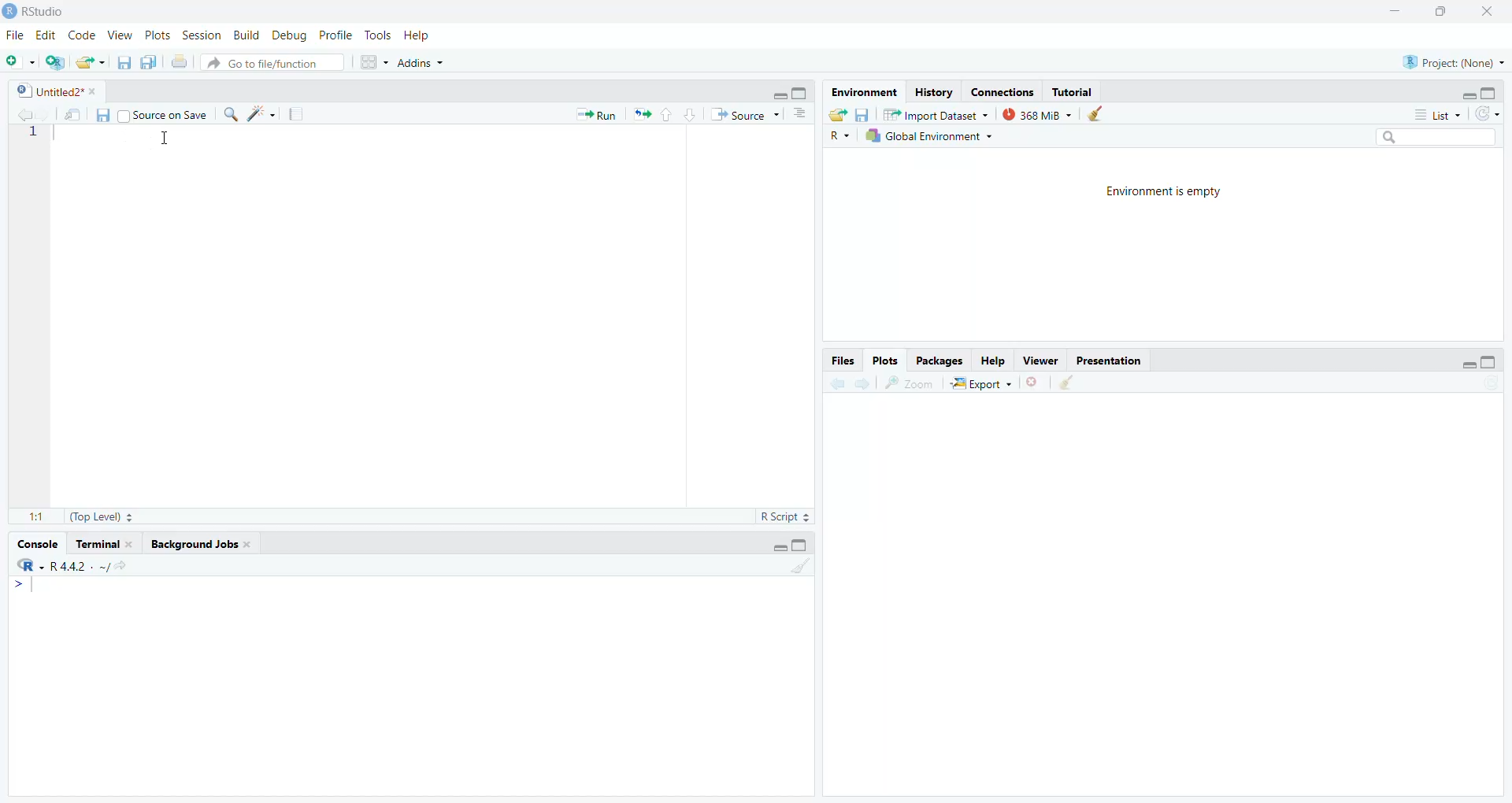 The width and height of the screenshot is (1512, 803). What do you see at coordinates (71, 564) in the screenshot?
I see `, R442 « ~/` at bounding box center [71, 564].